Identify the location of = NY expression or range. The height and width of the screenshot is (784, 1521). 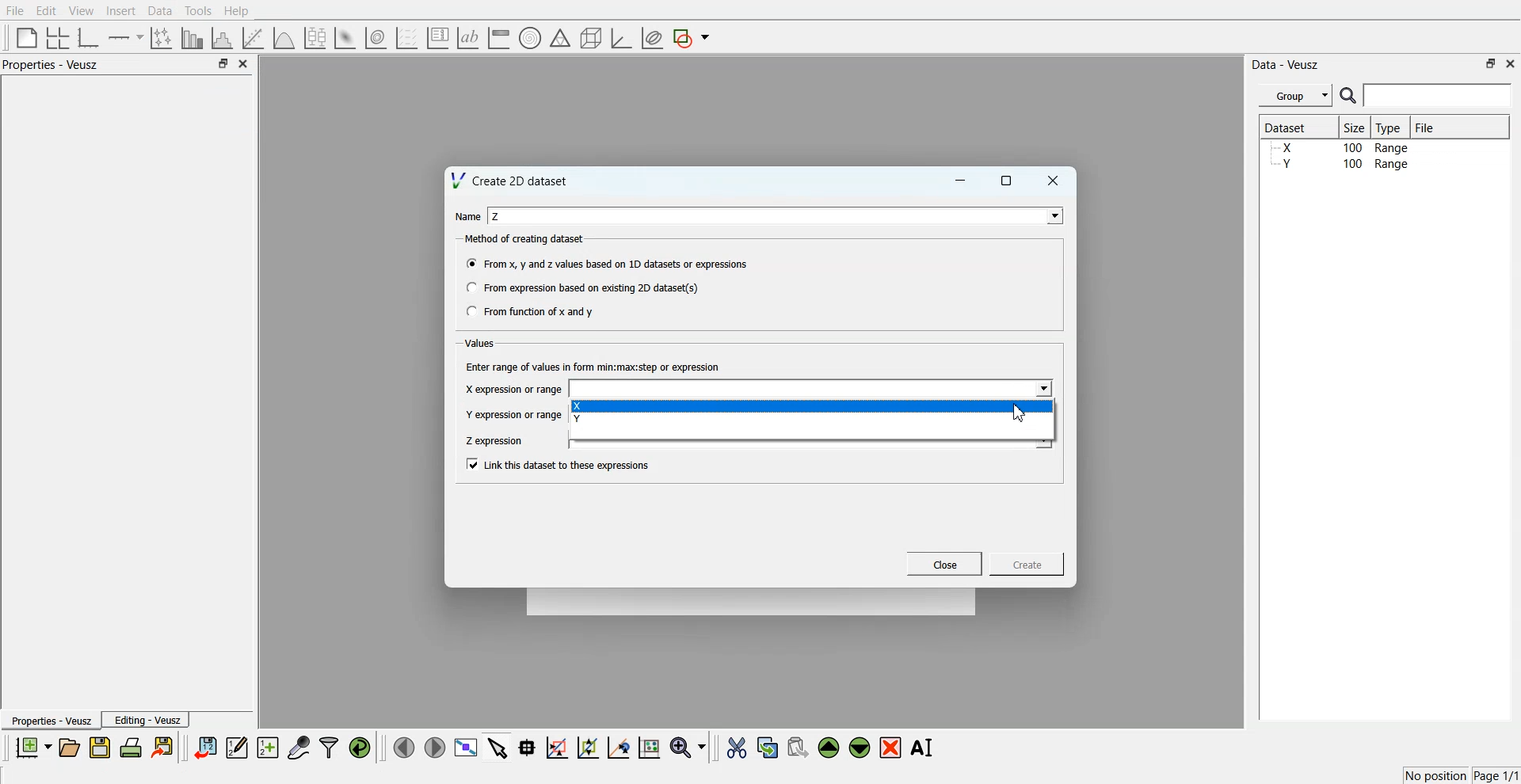
(514, 414).